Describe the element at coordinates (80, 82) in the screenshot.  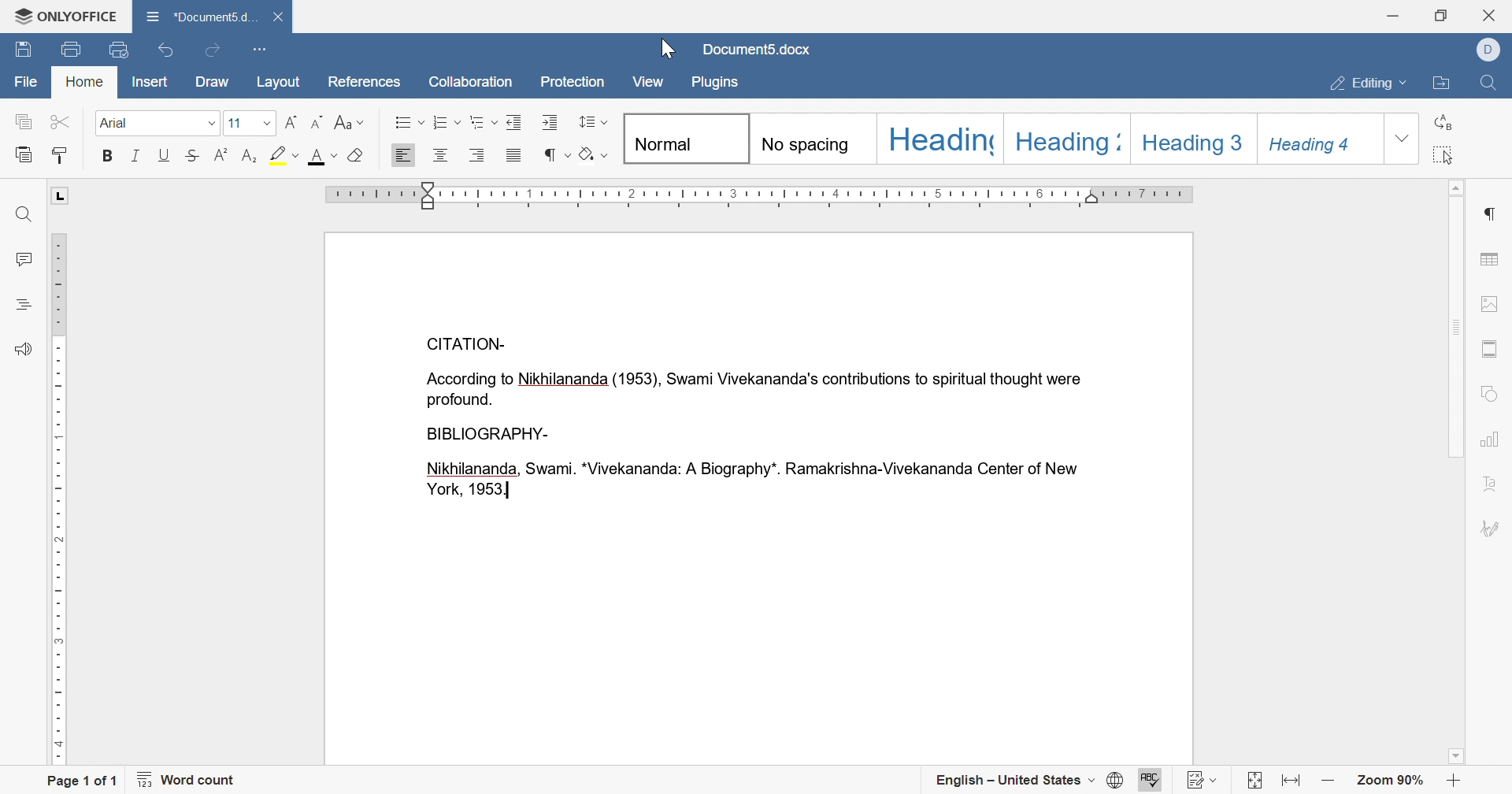
I see `home` at that location.